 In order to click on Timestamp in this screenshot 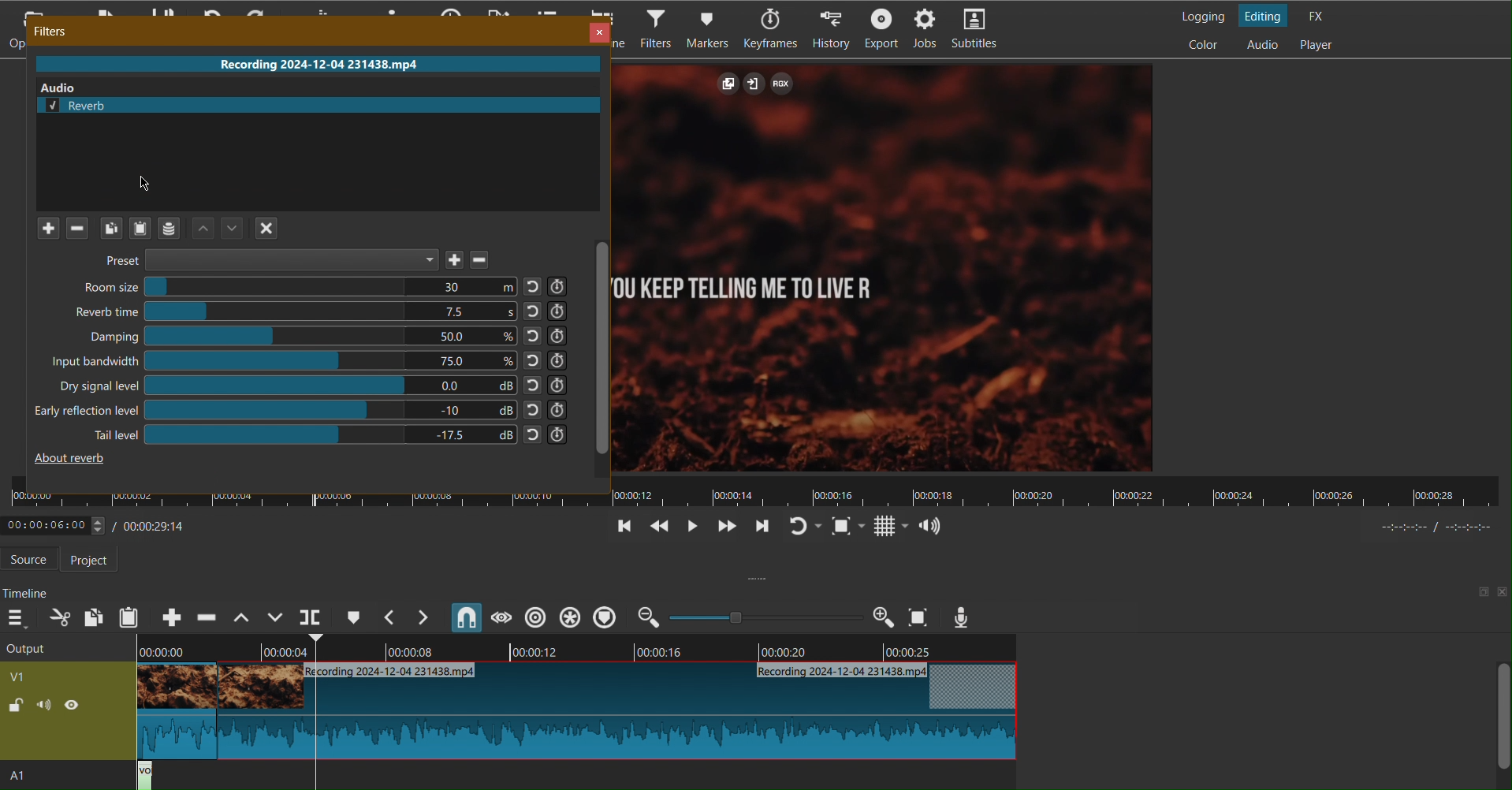, I will do `click(103, 524)`.